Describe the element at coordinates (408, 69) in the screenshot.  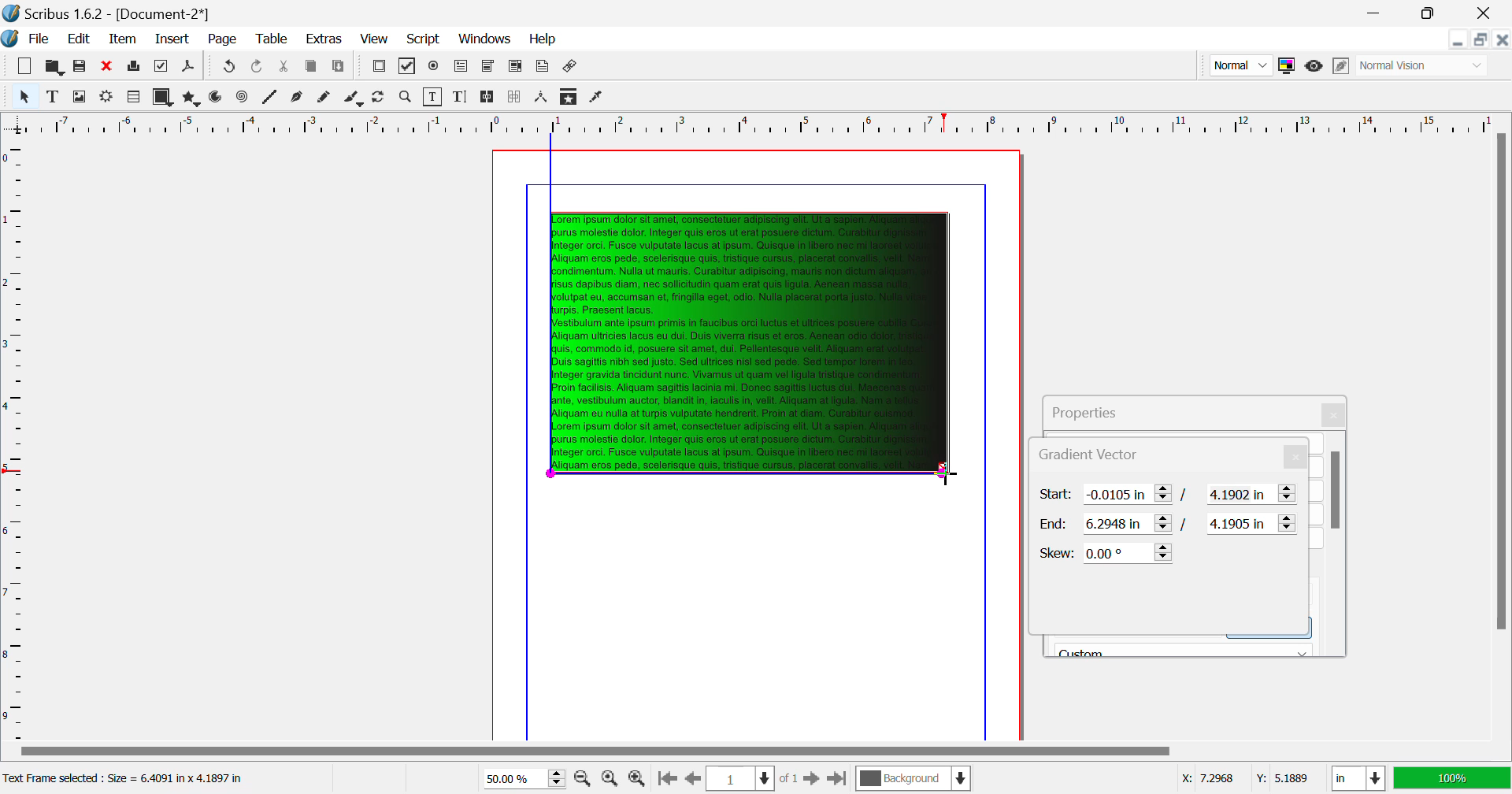
I see `Pdf Checkbox` at that location.